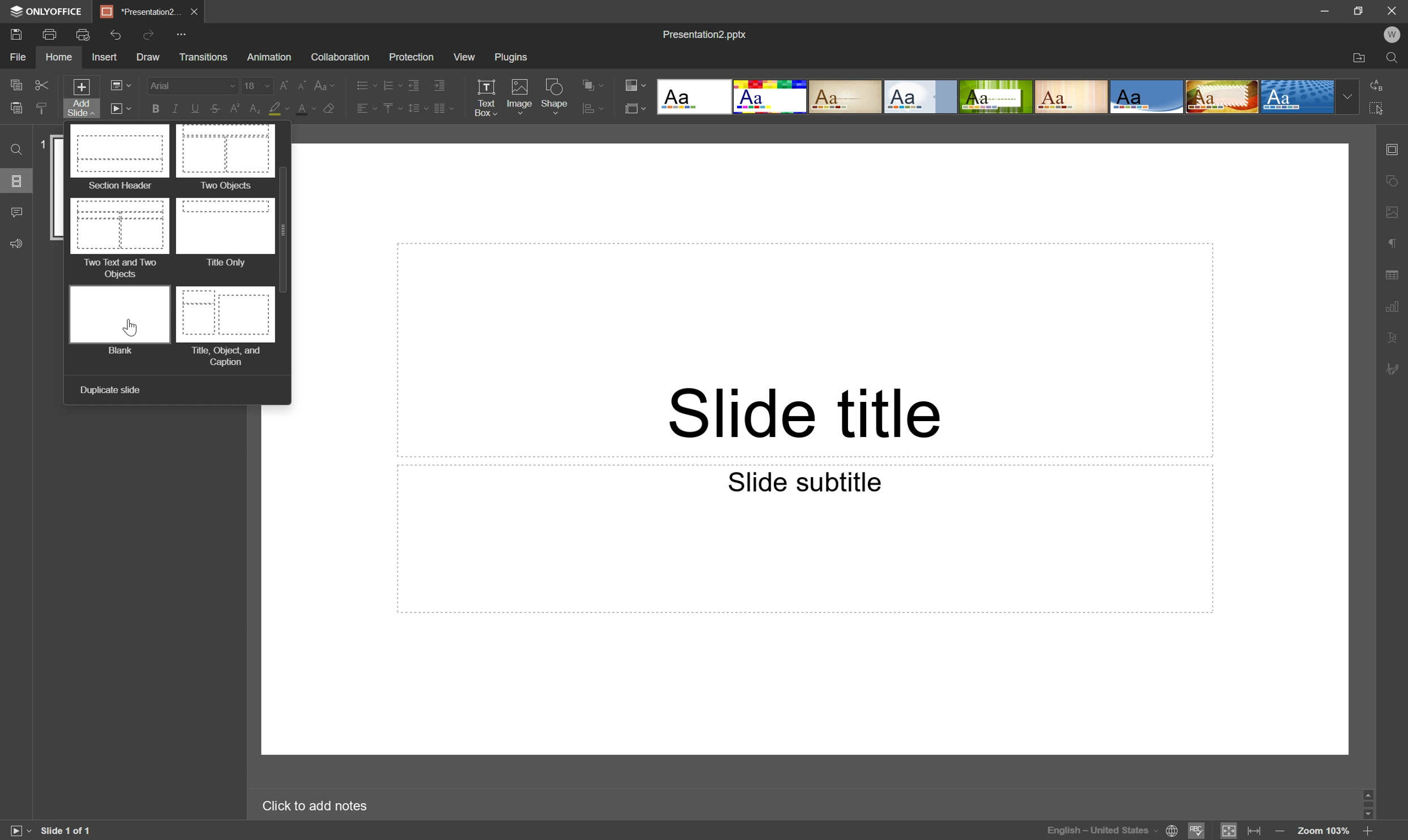 The width and height of the screenshot is (1408, 840). Describe the element at coordinates (464, 57) in the screenshot. I see `View` at that location.